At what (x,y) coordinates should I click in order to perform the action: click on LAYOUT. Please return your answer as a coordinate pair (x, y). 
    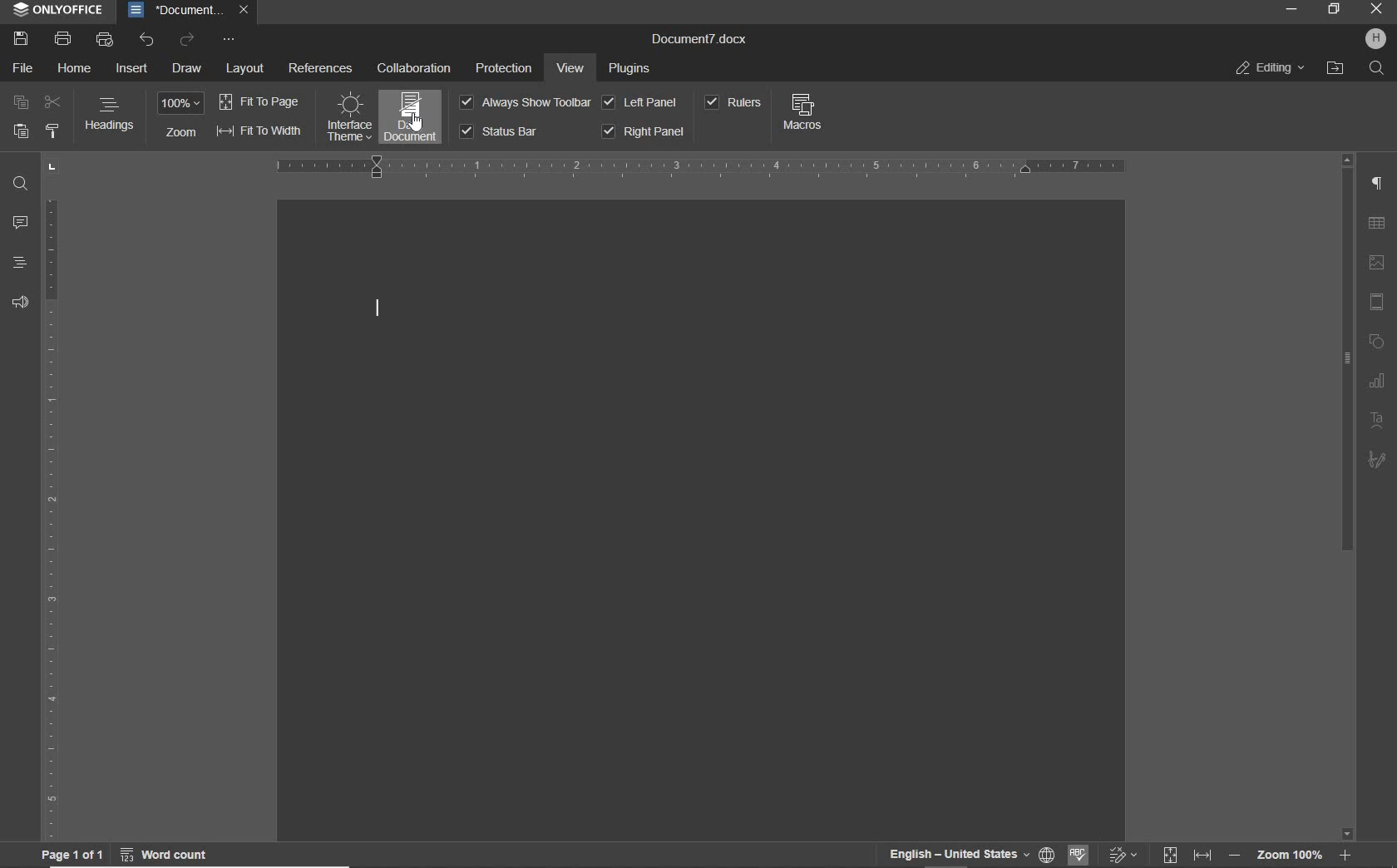
    Looking at the image, I should click on (246, 70).